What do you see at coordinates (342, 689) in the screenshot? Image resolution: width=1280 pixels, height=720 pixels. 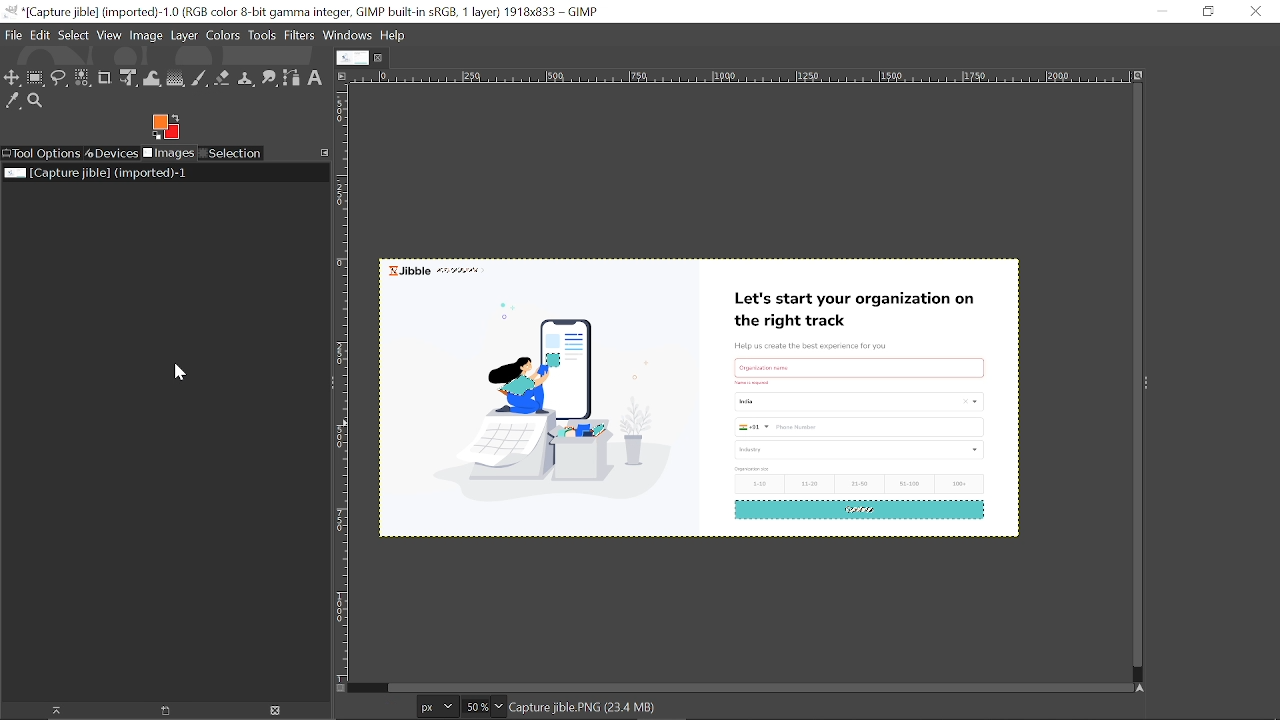 I see `navigate` at bounding box center [342, 689].